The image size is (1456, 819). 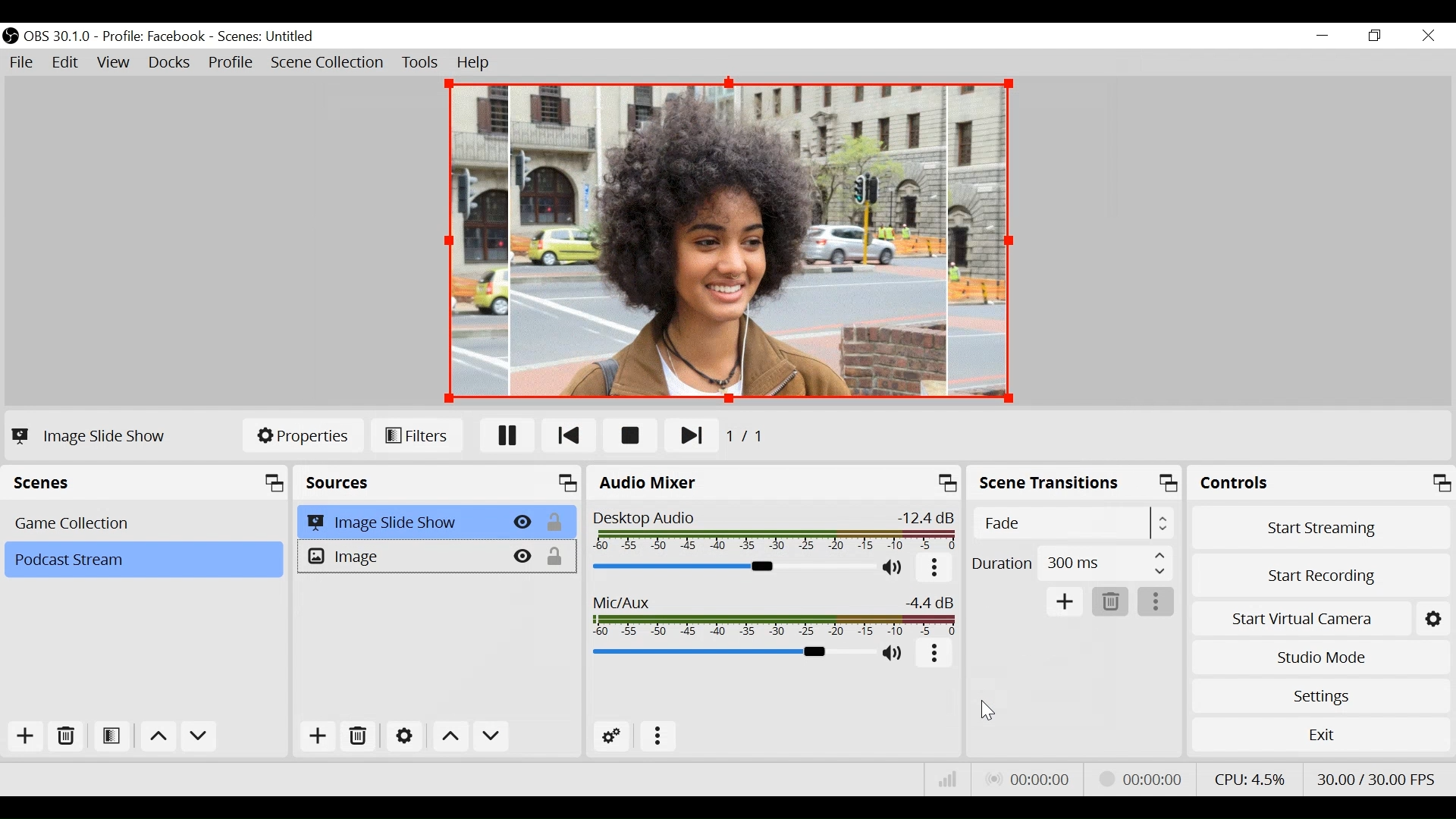 What do you see at coordinates (524, 556) in the screenshot?
I see `Hide/Display` at bounding box center [524, 556].